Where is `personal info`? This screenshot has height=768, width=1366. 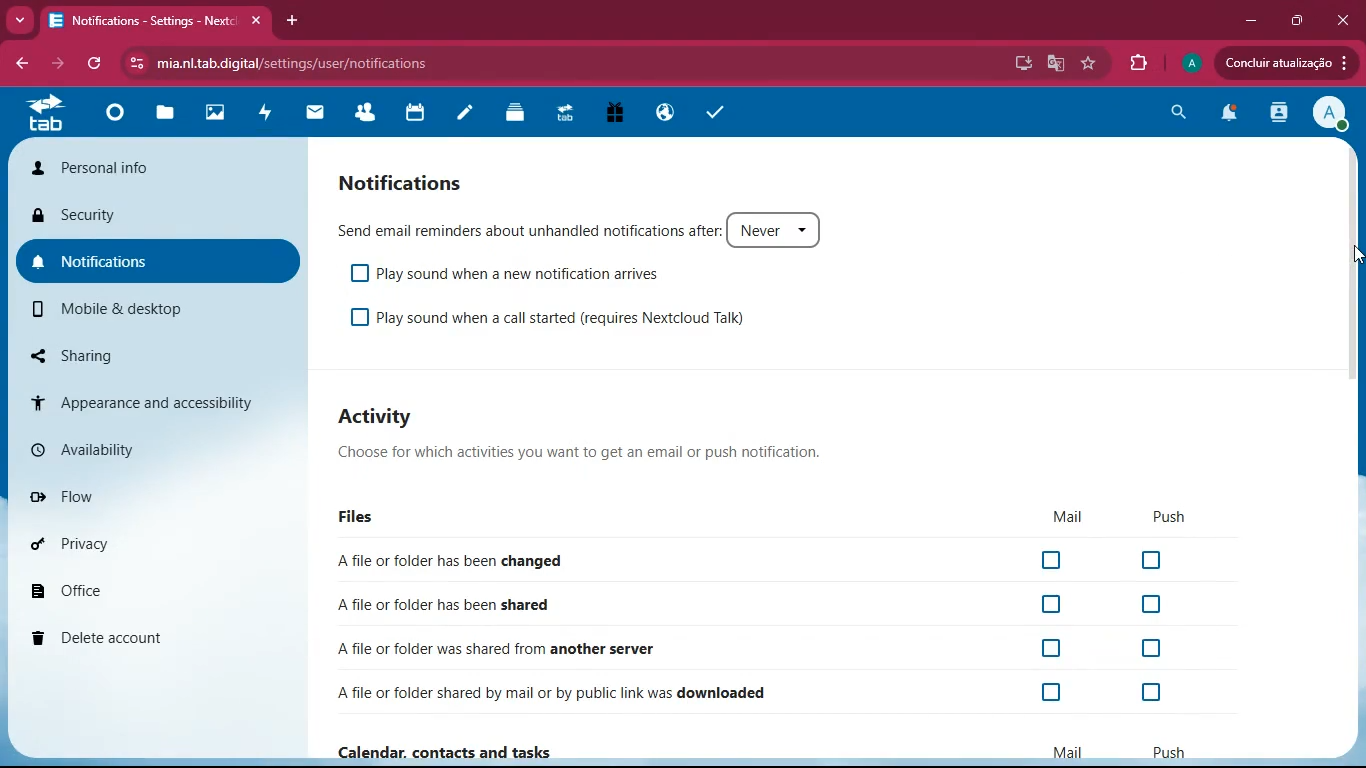 personal info is located at coordinates (158, 170).